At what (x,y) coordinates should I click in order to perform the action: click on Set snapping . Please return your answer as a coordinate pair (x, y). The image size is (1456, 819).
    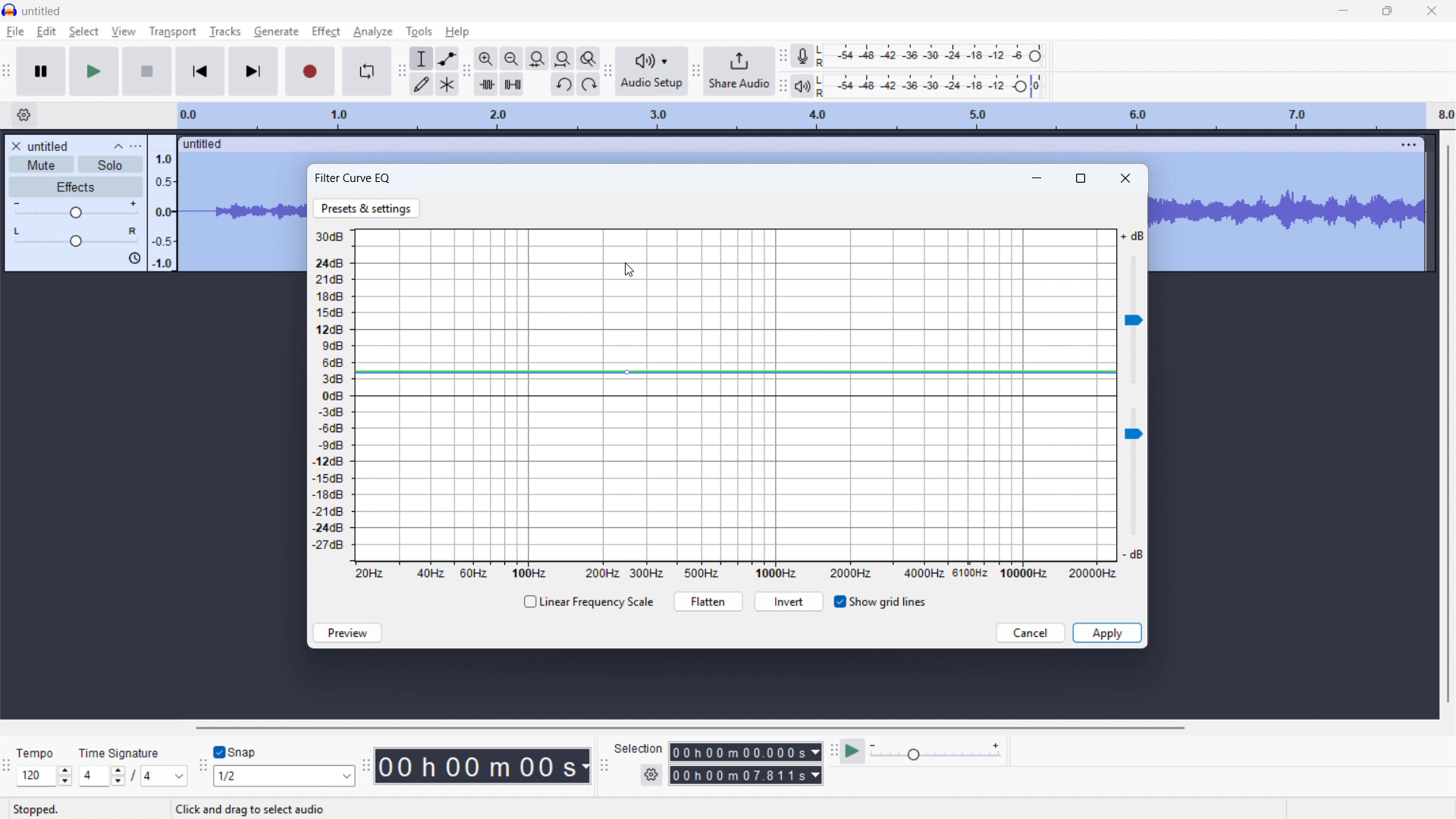
    Looking at the image, I should click on (284, 776).